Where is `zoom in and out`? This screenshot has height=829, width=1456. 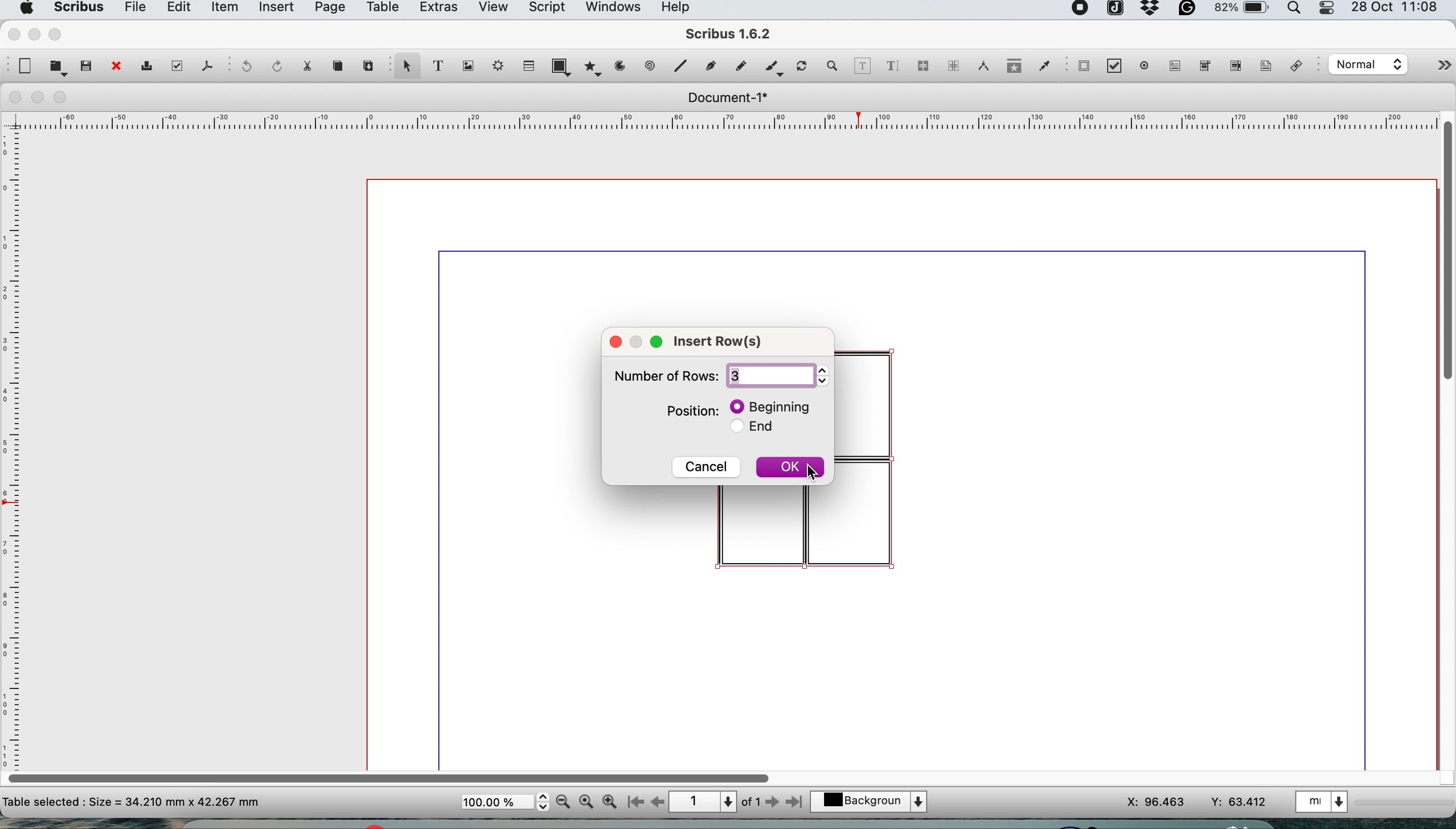 zoom in and out is located at coordinates (833, 66).